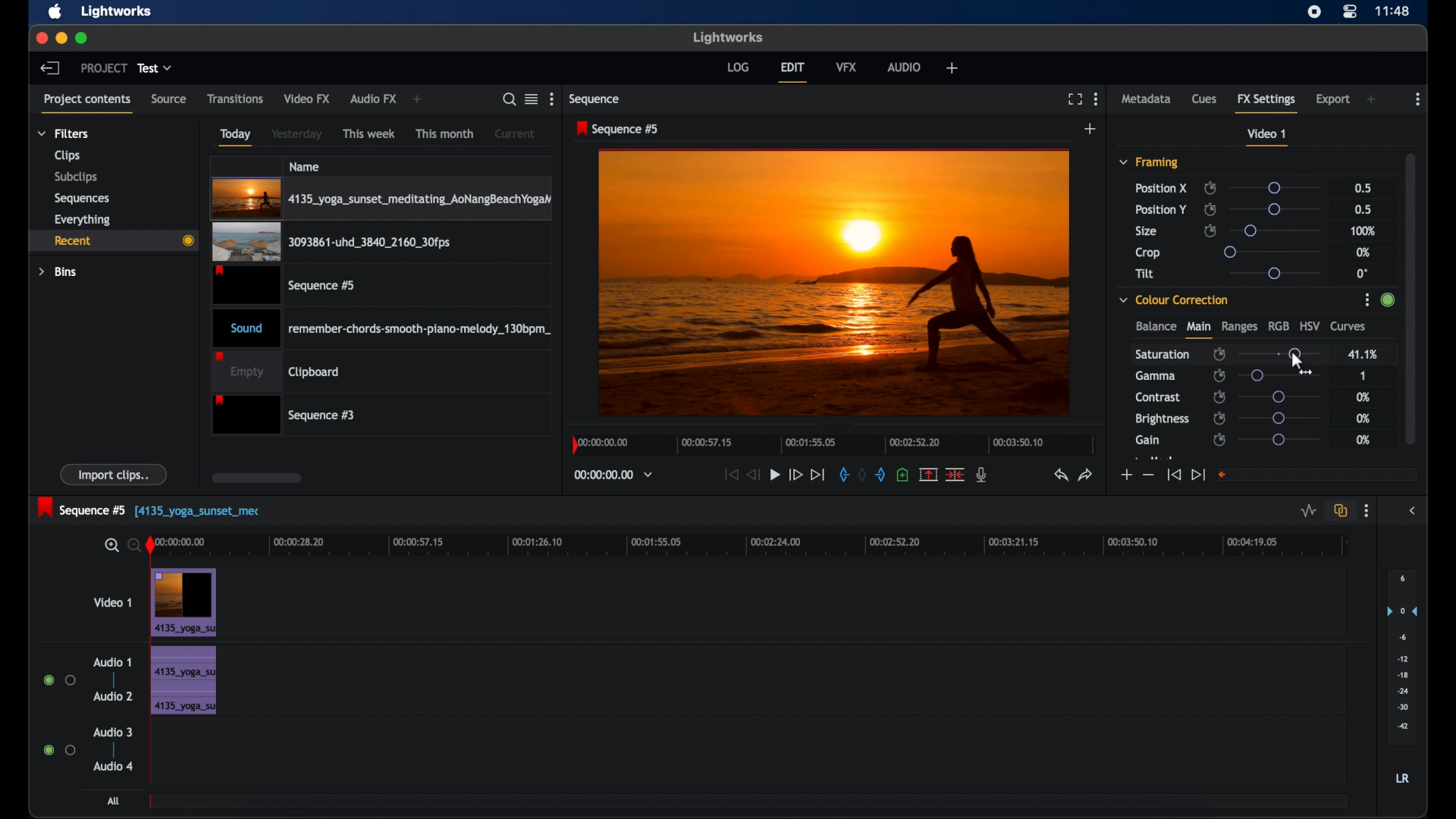 The height and width of the screenshot is (819, 1456). I want to click on vfx, so click(847, 67).